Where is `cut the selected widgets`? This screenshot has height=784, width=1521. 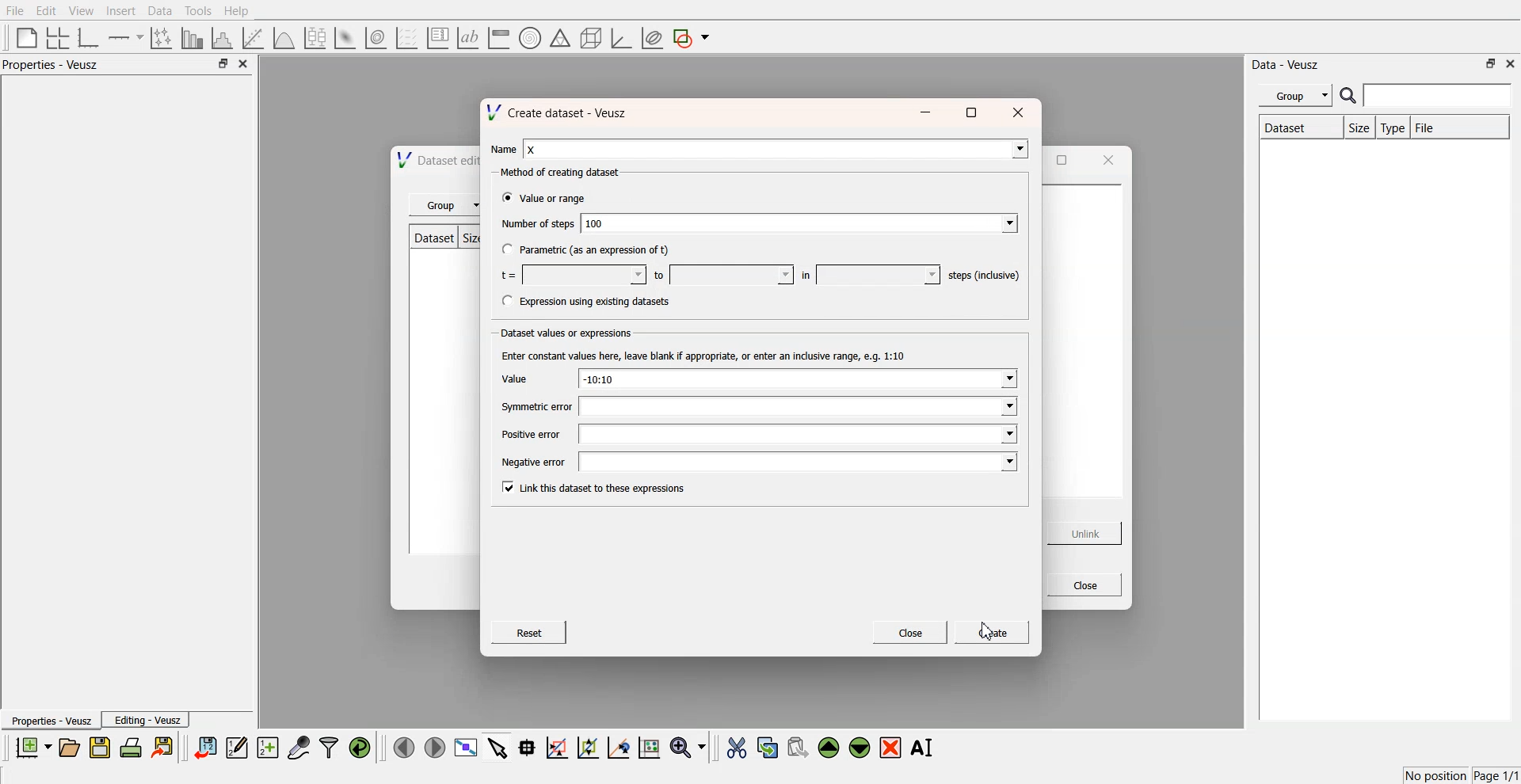
cut the selected widgets is located at coordinates (735, 748).